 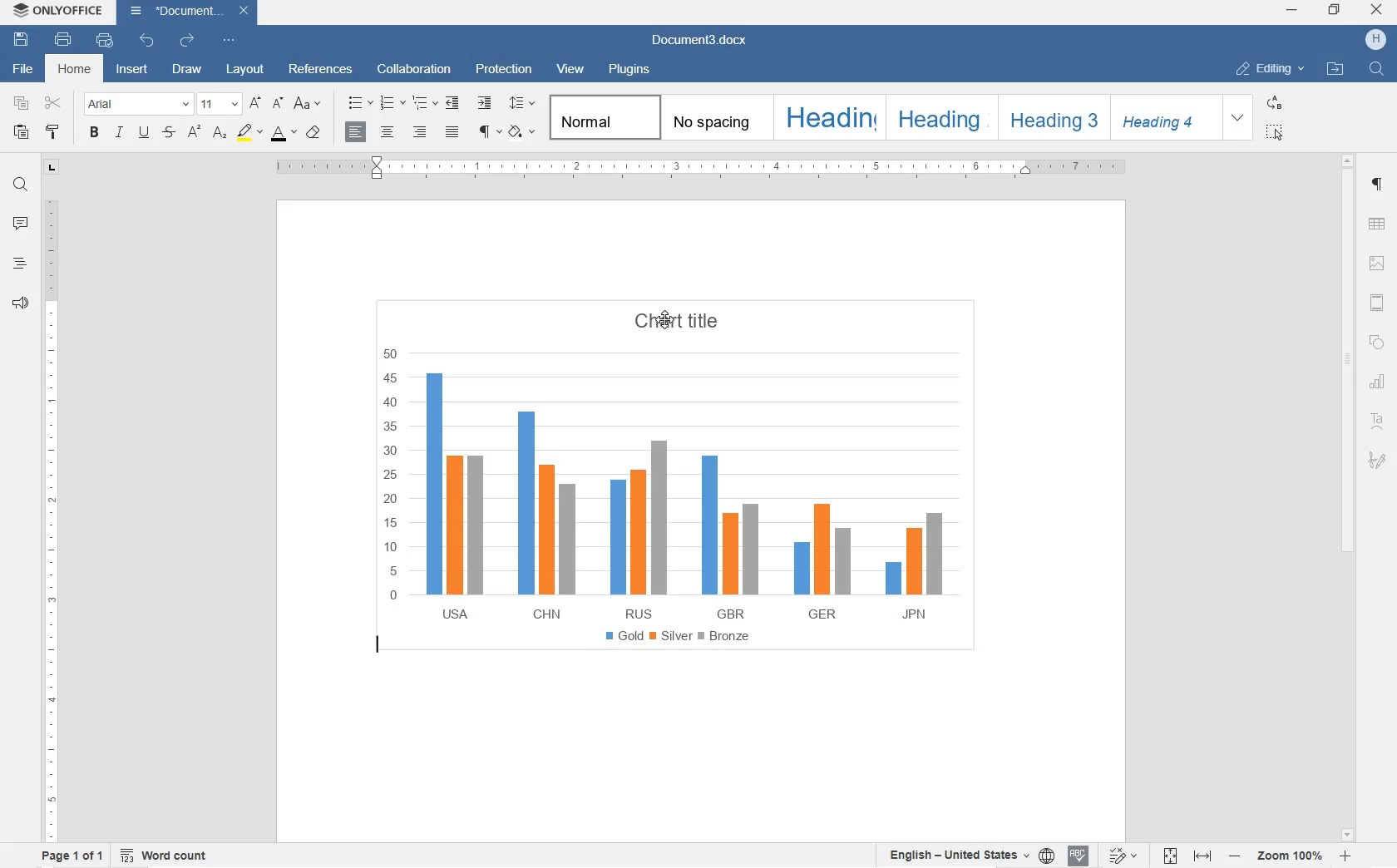 What do you see at coordinates (572, 71) in the screenshot?
I see `VIEW` at bounding box center [572, 71].